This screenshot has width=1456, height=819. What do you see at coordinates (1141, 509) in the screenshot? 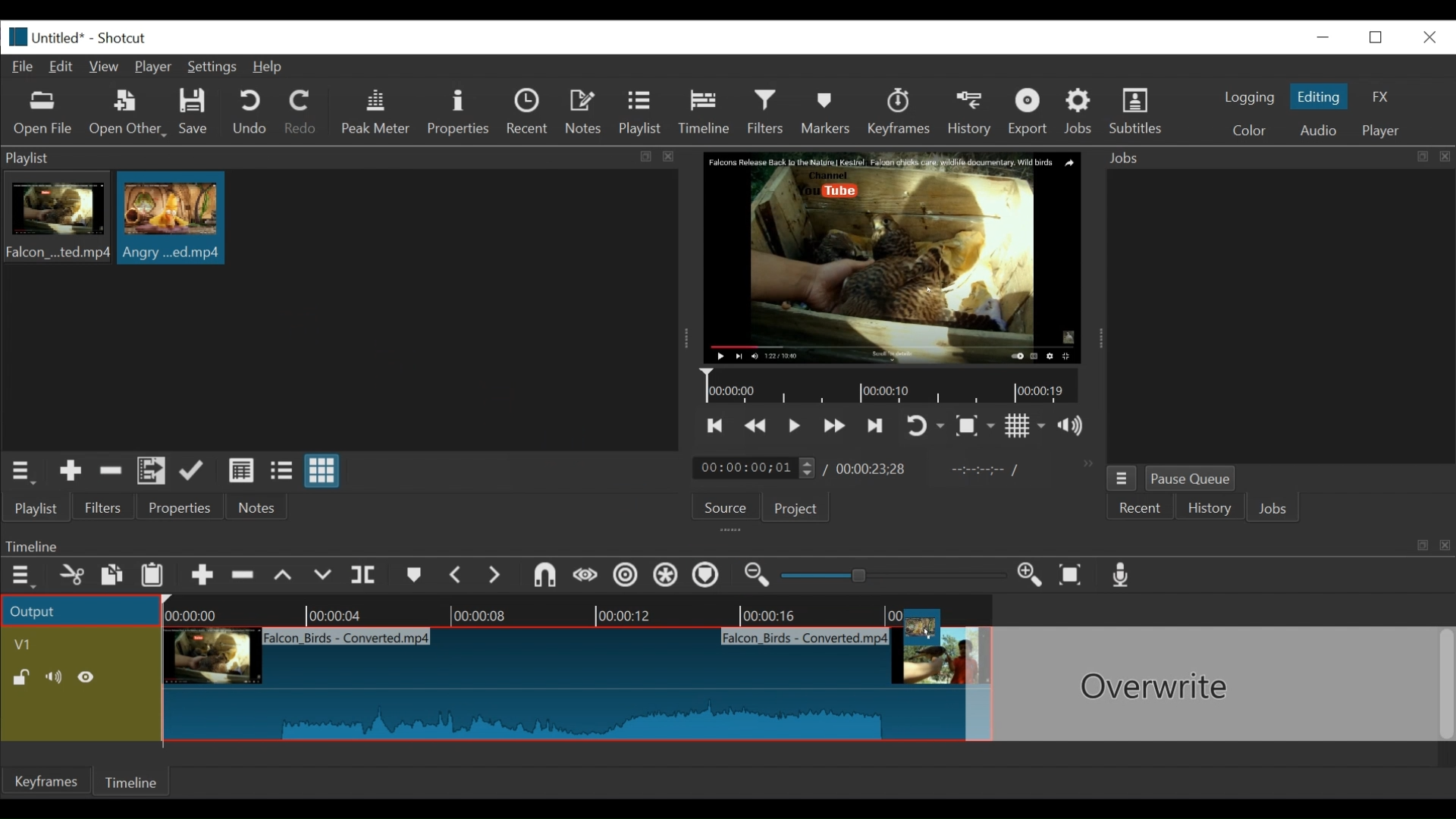
I see `Recent` at bounding box center [1141, 509].